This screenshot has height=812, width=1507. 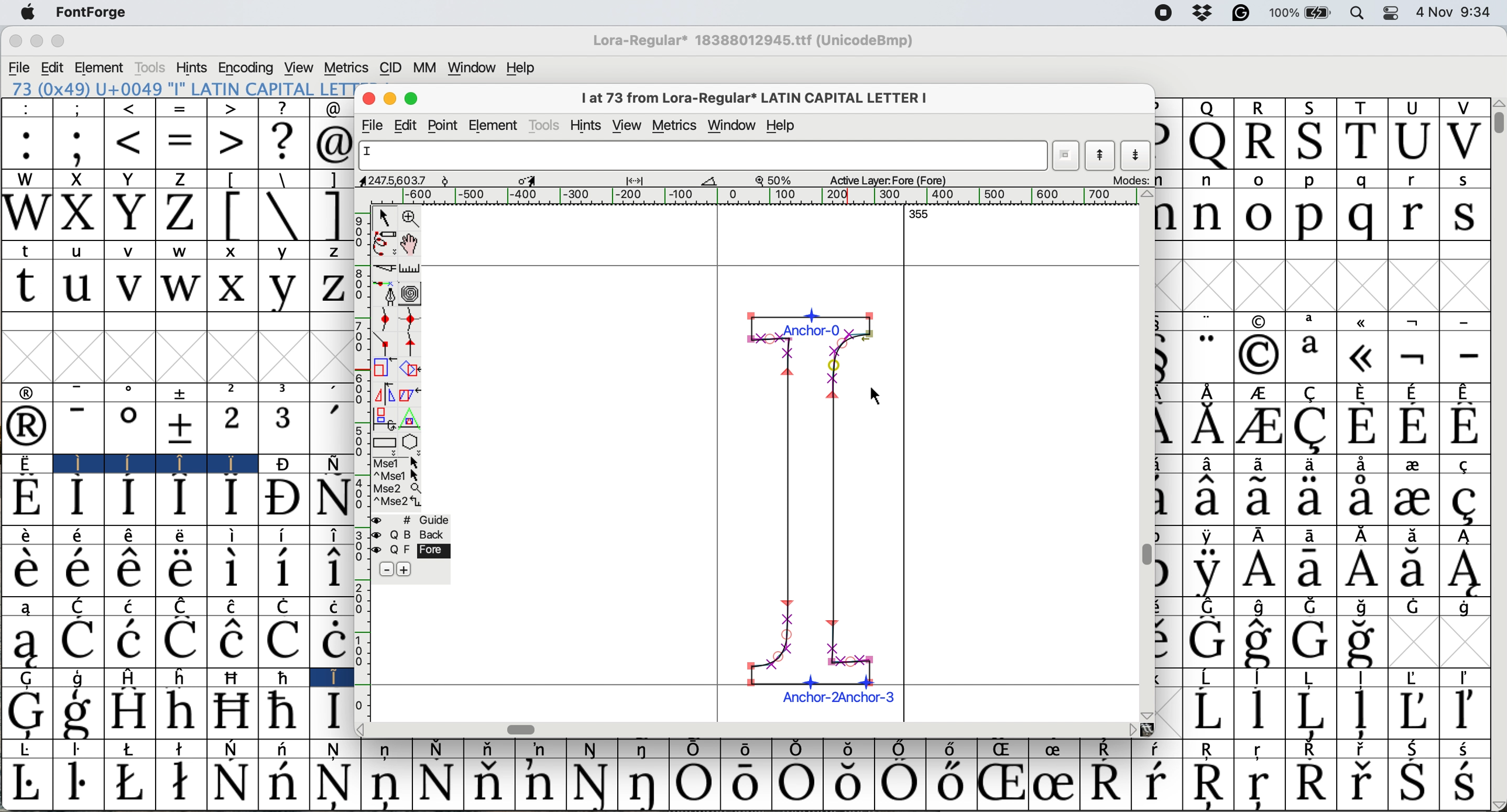 I want to click on x, so click(x=232, y=286).